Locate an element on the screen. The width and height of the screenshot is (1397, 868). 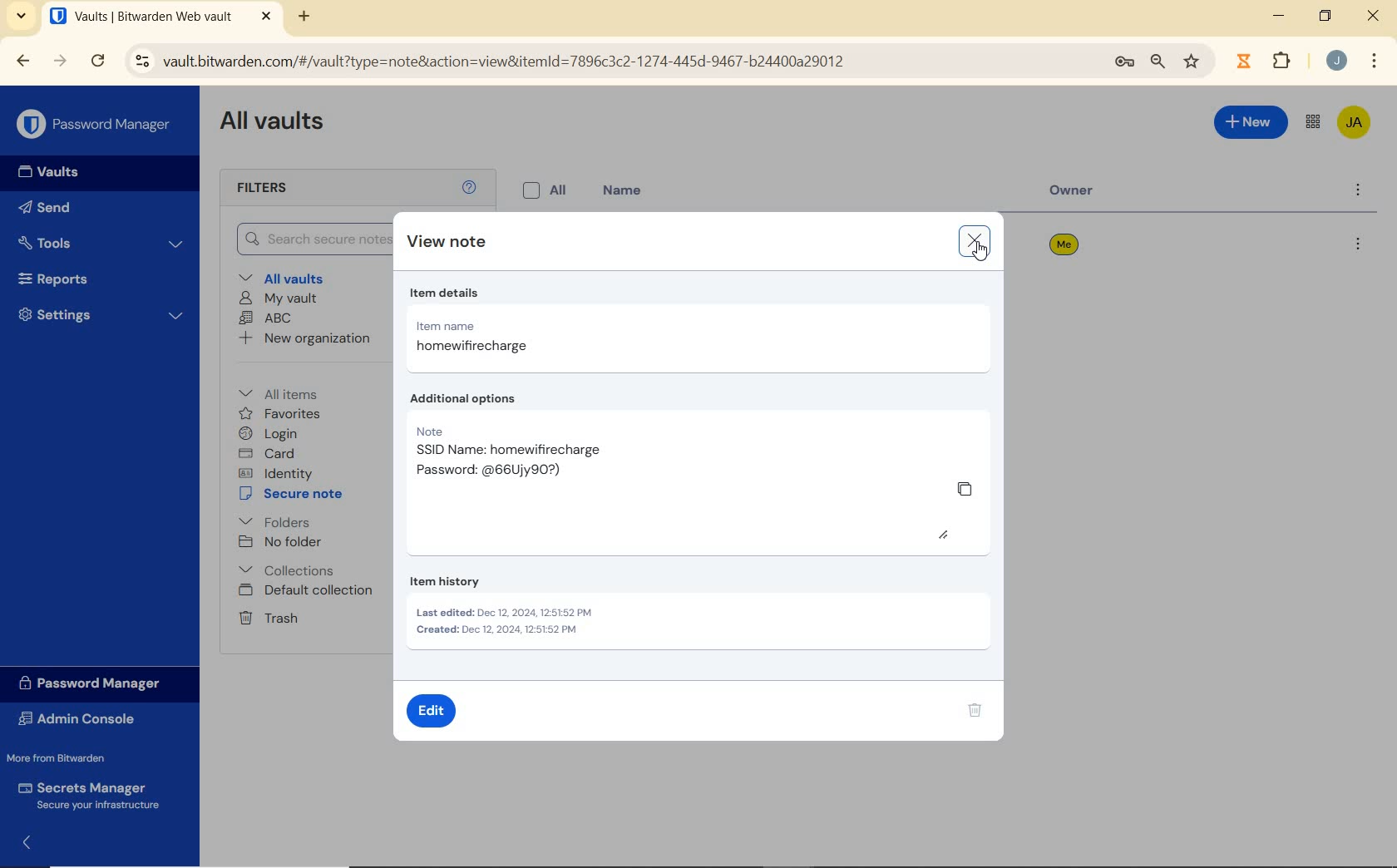
Notes is located at coordinates (590, 460).